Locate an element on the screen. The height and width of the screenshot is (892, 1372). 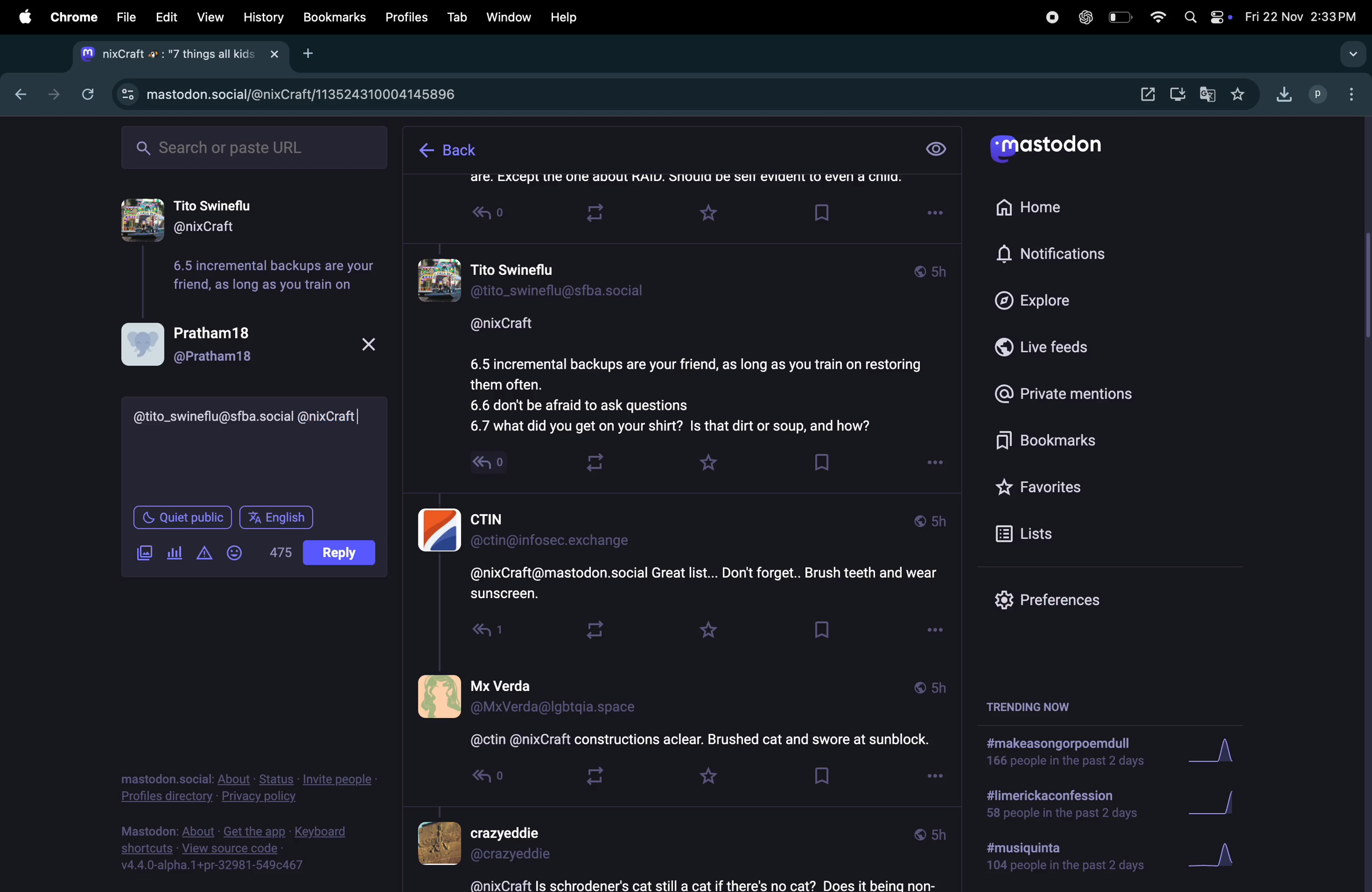
chrome is located at coordinates (72, 17).